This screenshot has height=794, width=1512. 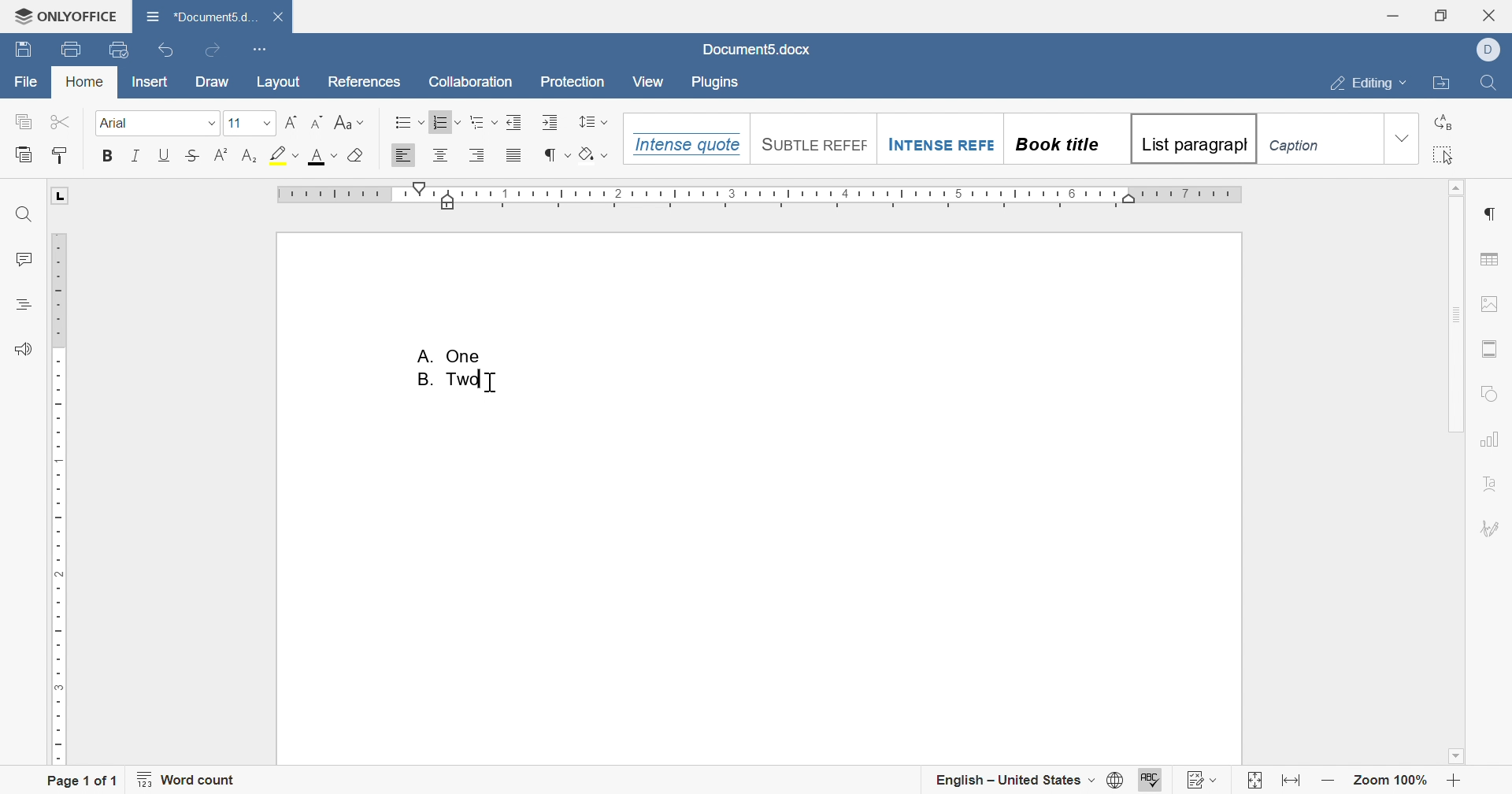 I want to click on Book title, so click(x=1055, y=144).